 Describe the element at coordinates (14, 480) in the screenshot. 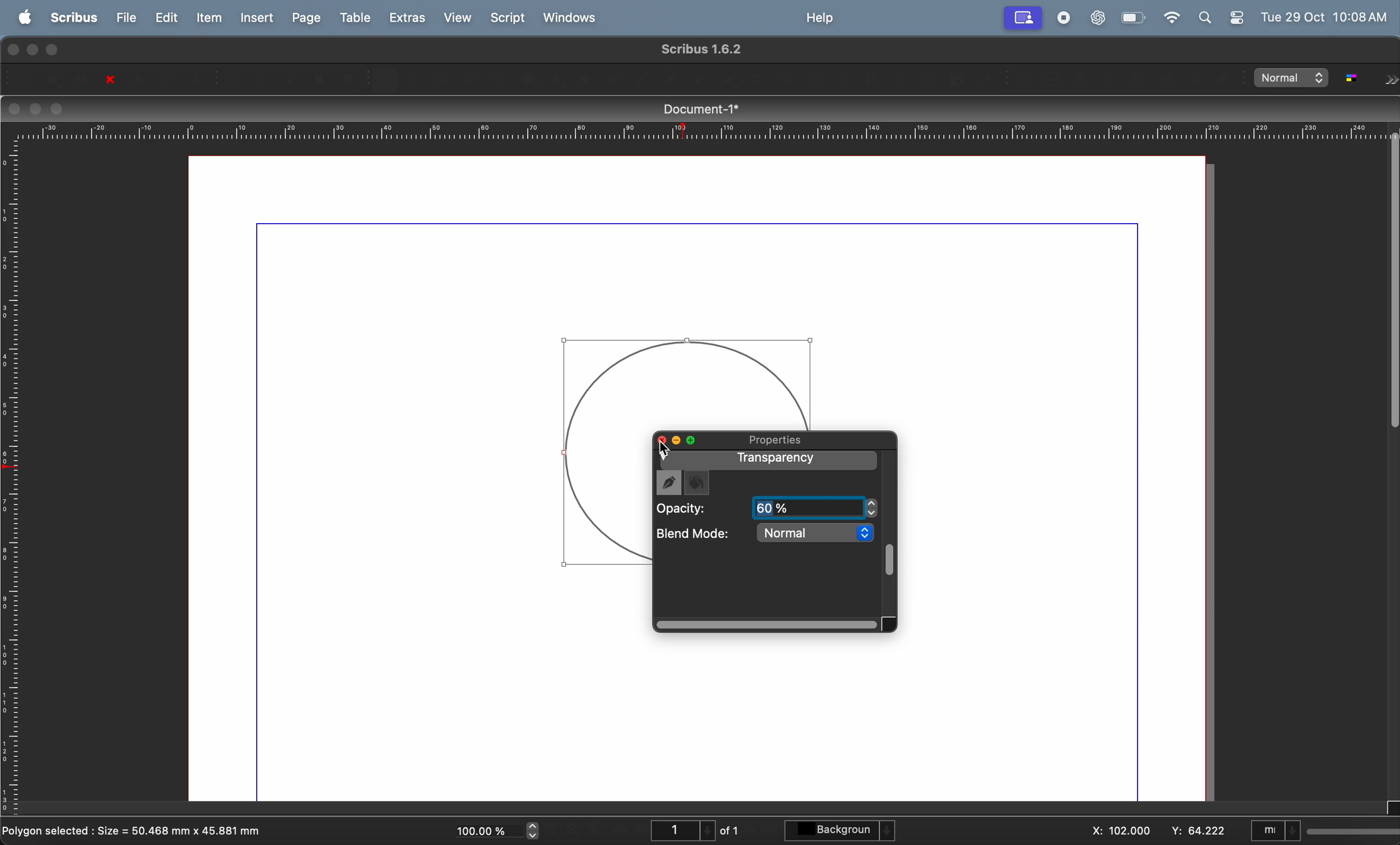

I see `vertical scale` at that location.